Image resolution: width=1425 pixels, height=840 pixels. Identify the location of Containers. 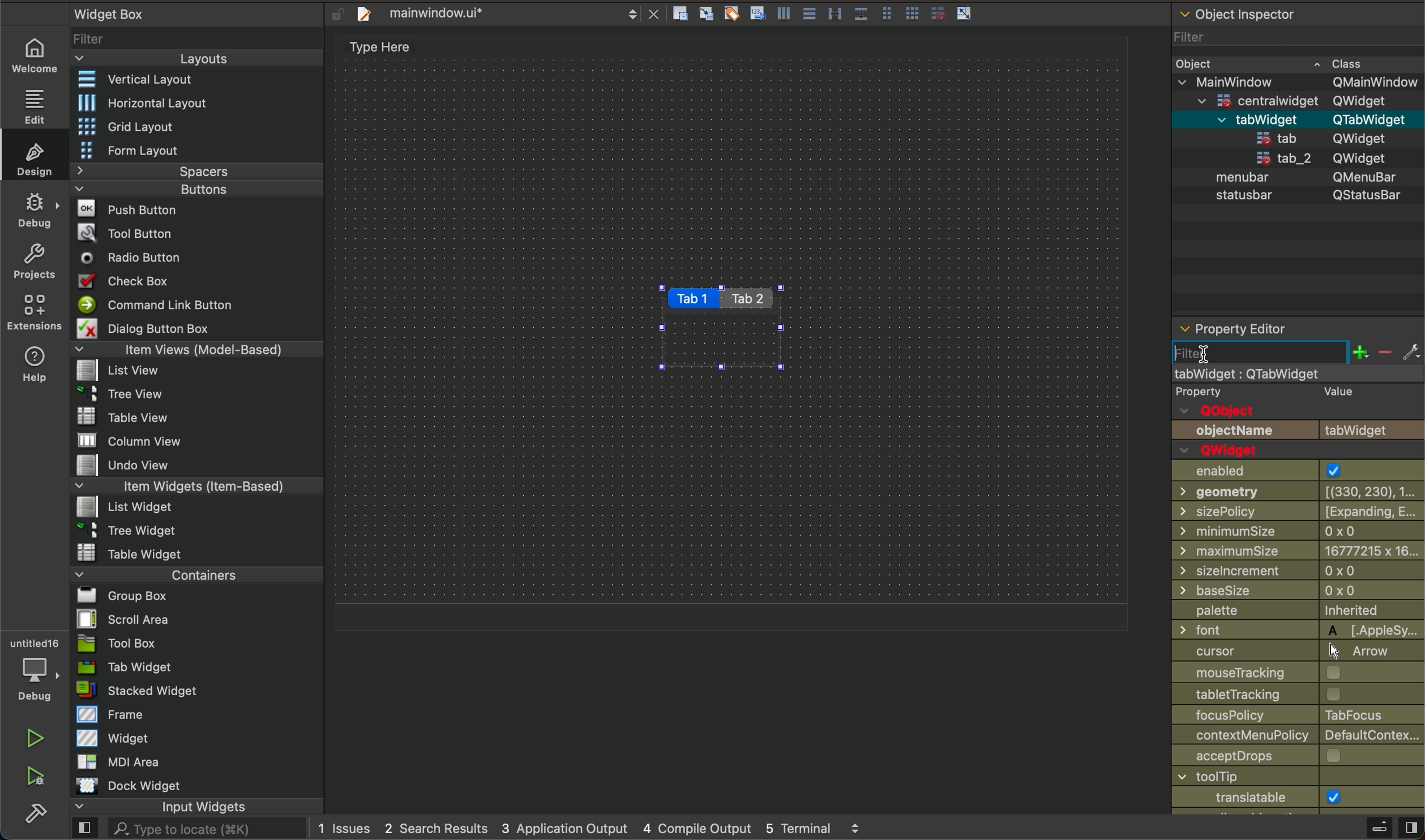
(194, 573).